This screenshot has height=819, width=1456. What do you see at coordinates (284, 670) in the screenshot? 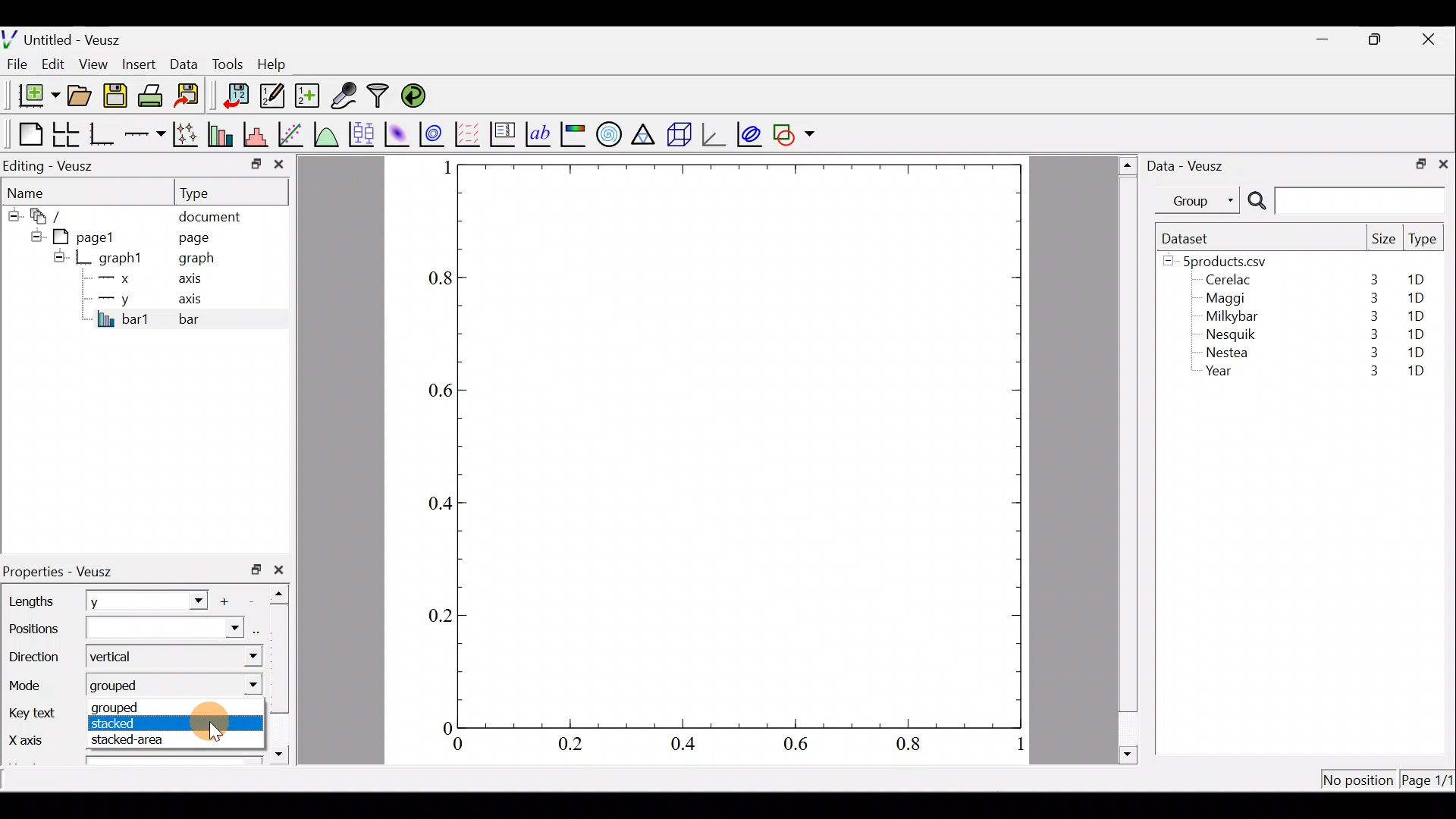
I see `scroll bar` at bounding box center [284, 670].